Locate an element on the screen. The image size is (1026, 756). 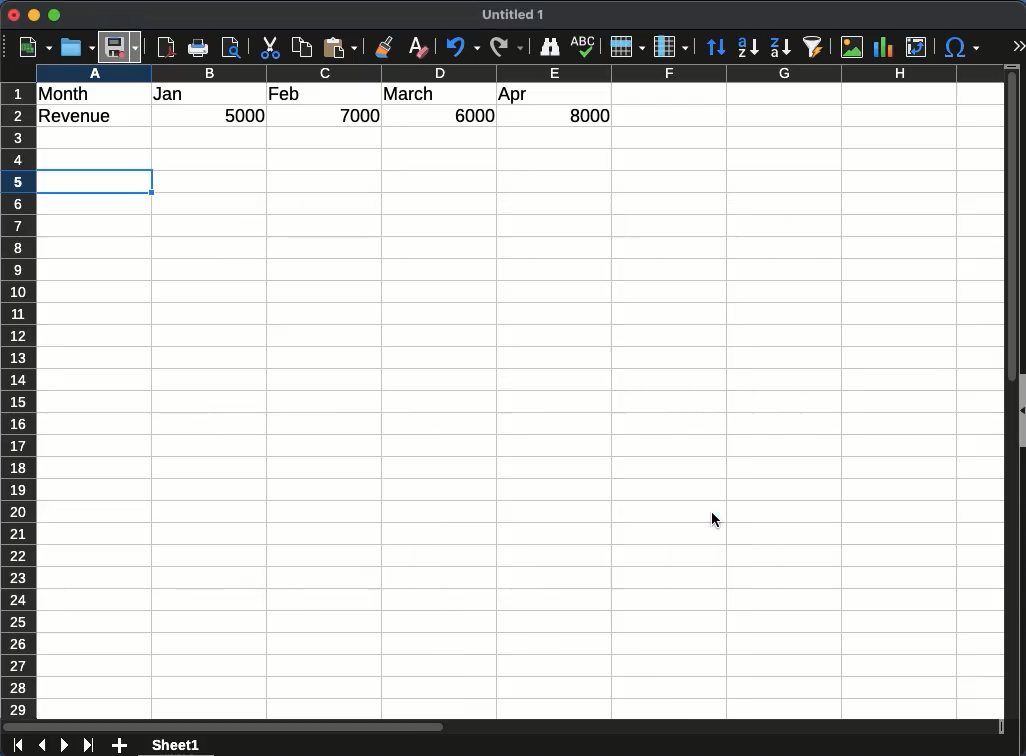
Print is located at coordinates (201, 48).